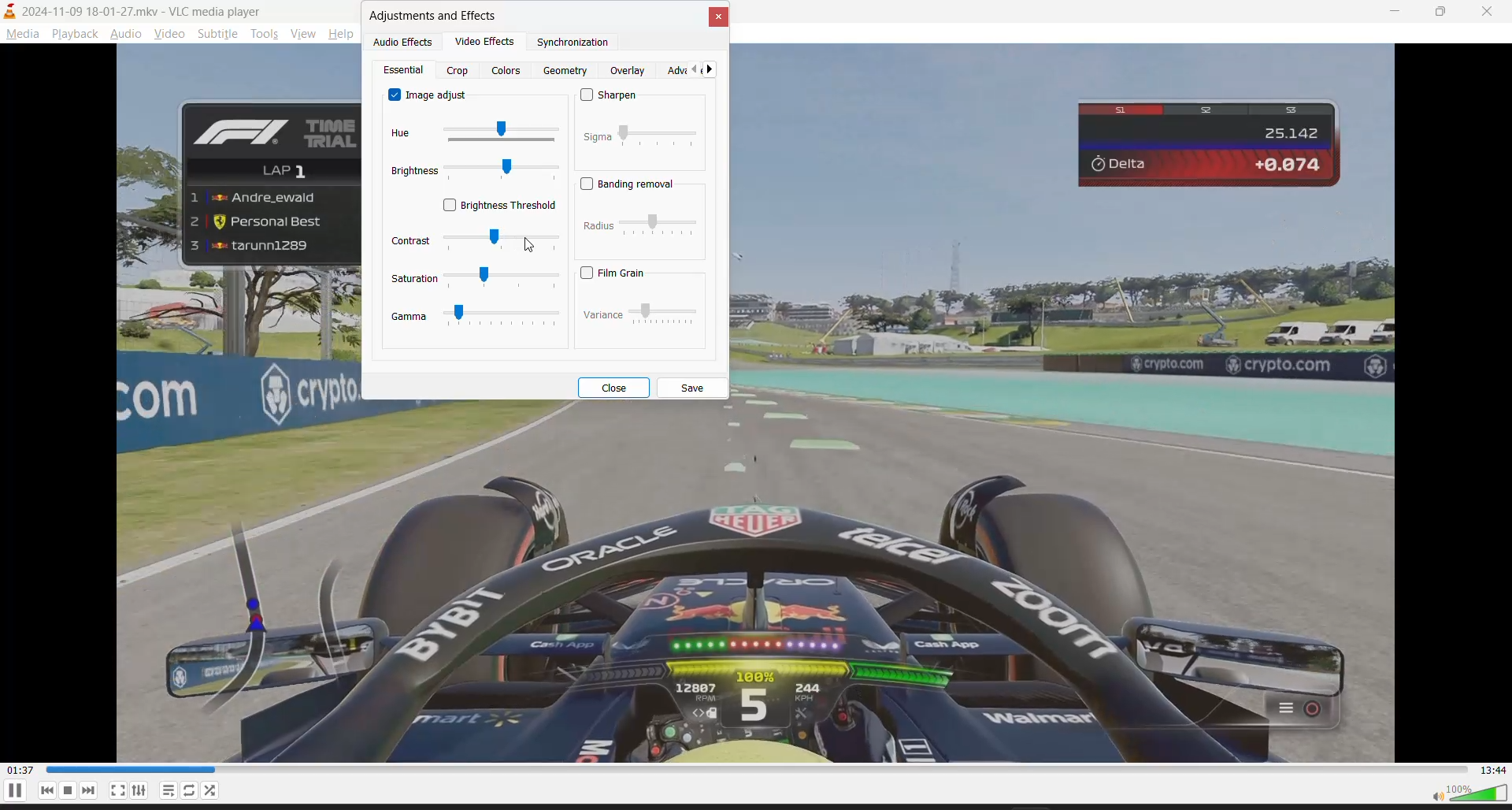  What do you see at coordinates (139, 11) in the screenshot?
I see `2024-11-09 18-01-27.mkv - VLC media player` at bounding box center [139, 11].